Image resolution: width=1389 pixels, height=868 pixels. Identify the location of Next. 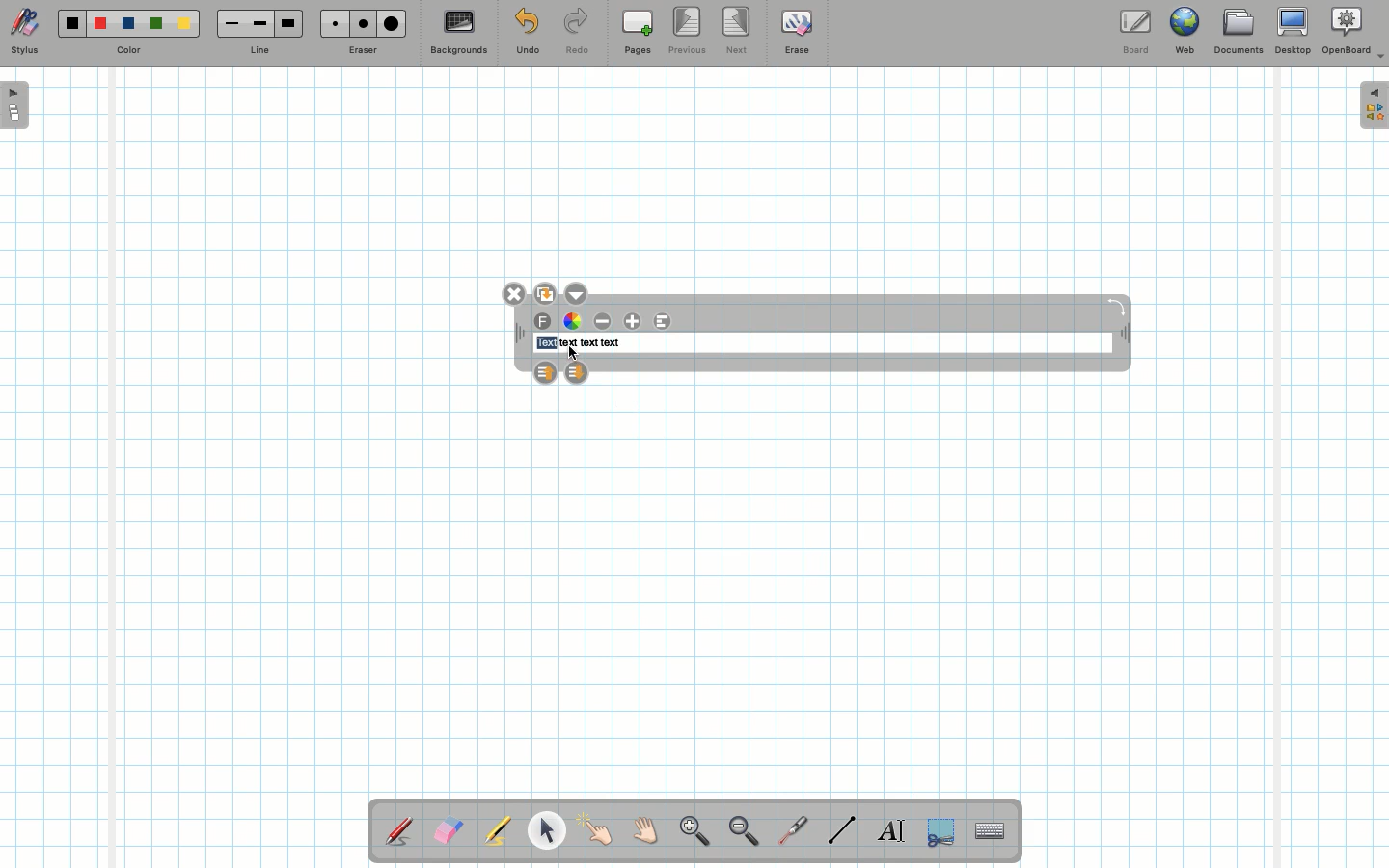
(738, 29).